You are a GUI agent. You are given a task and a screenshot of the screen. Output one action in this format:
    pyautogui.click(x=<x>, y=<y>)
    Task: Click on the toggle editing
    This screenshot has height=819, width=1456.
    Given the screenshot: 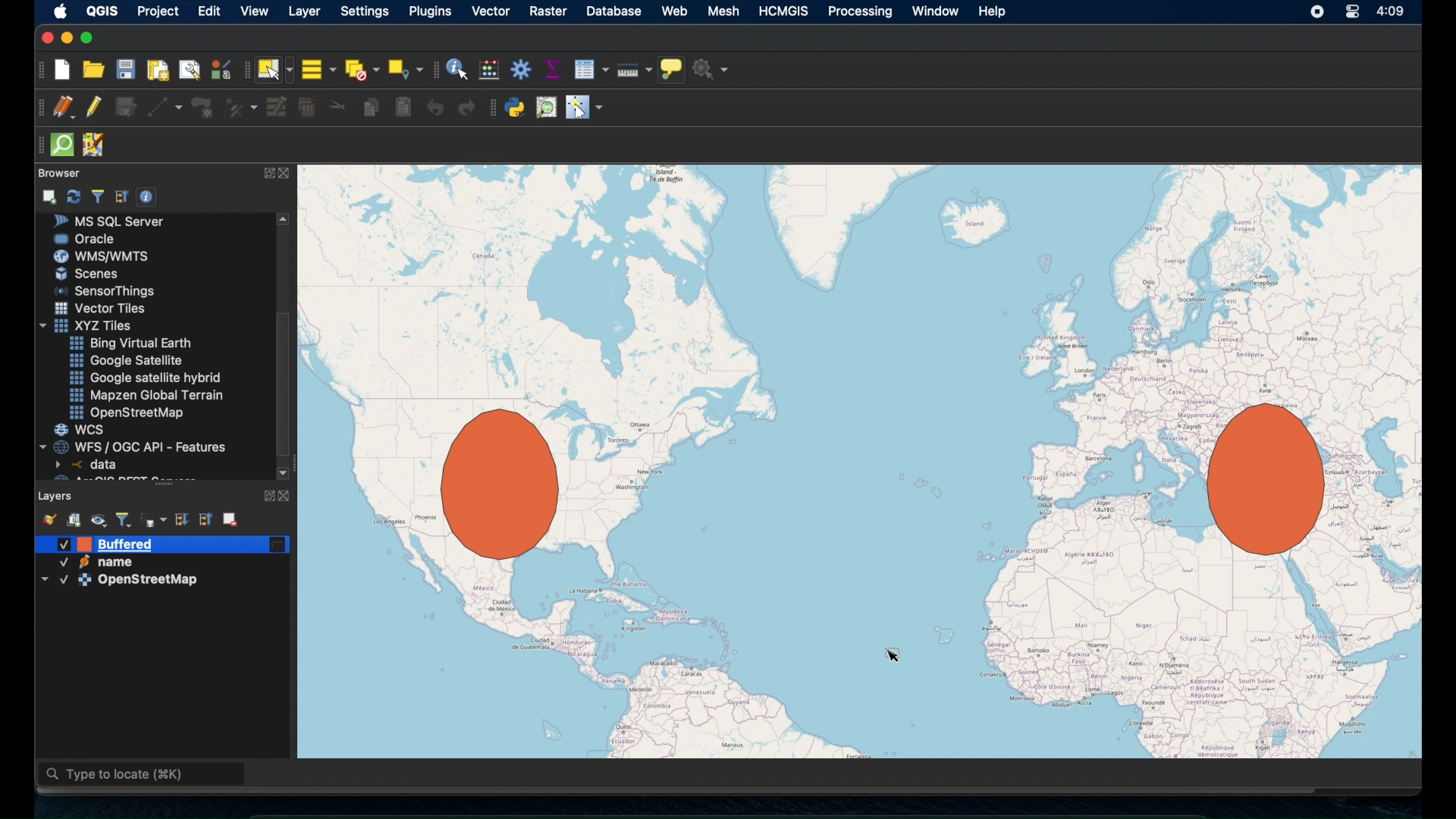 What is the action you would take?
    pyautogui.click(x=93, y=107)
    